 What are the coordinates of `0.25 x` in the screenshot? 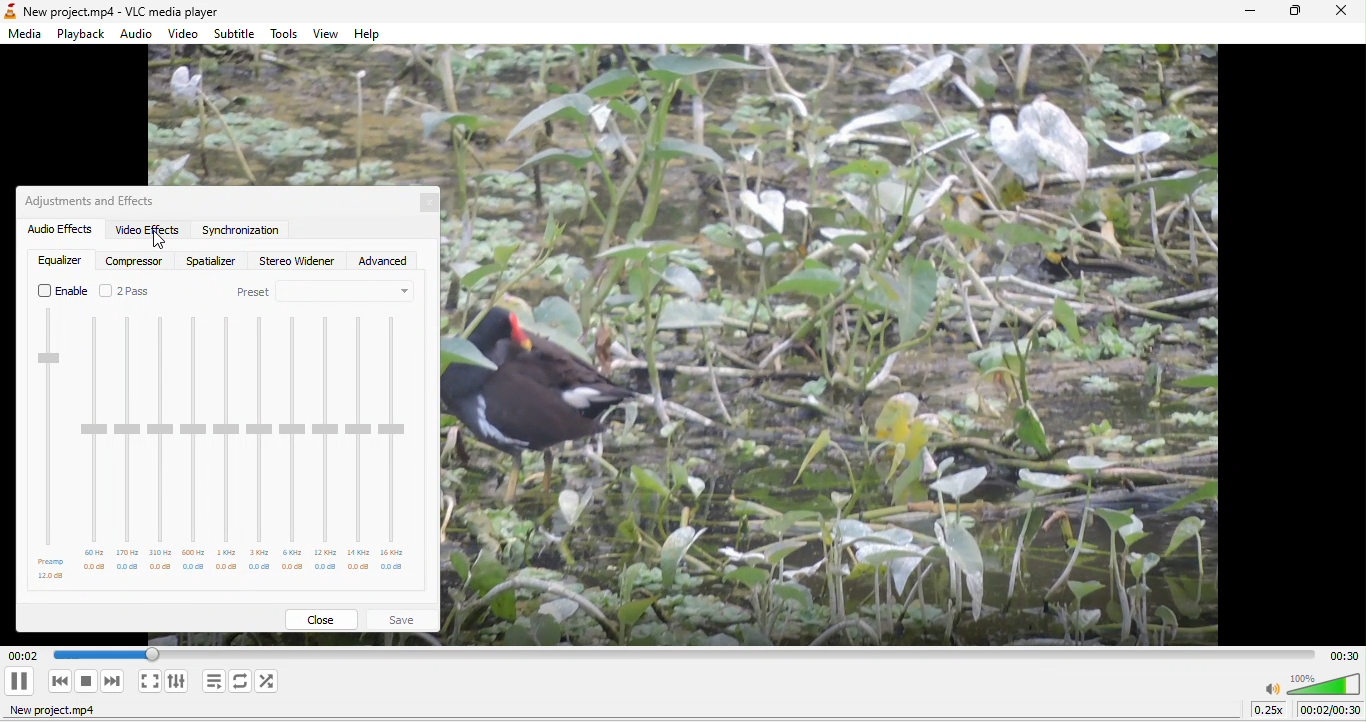 It's located at (1271, 711).